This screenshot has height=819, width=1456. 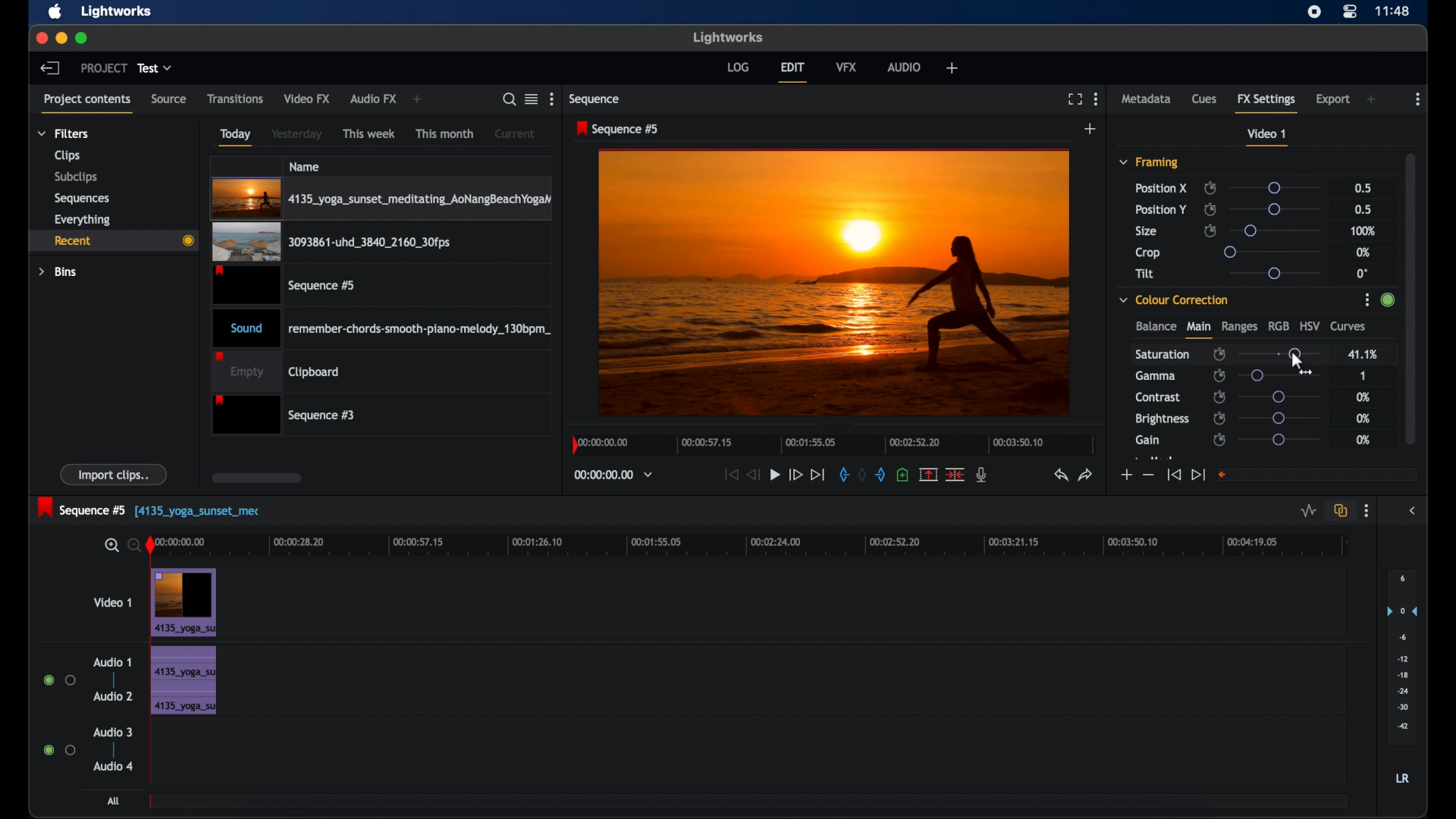 I want to click on 41.1%, so click(x=1362, y=353).